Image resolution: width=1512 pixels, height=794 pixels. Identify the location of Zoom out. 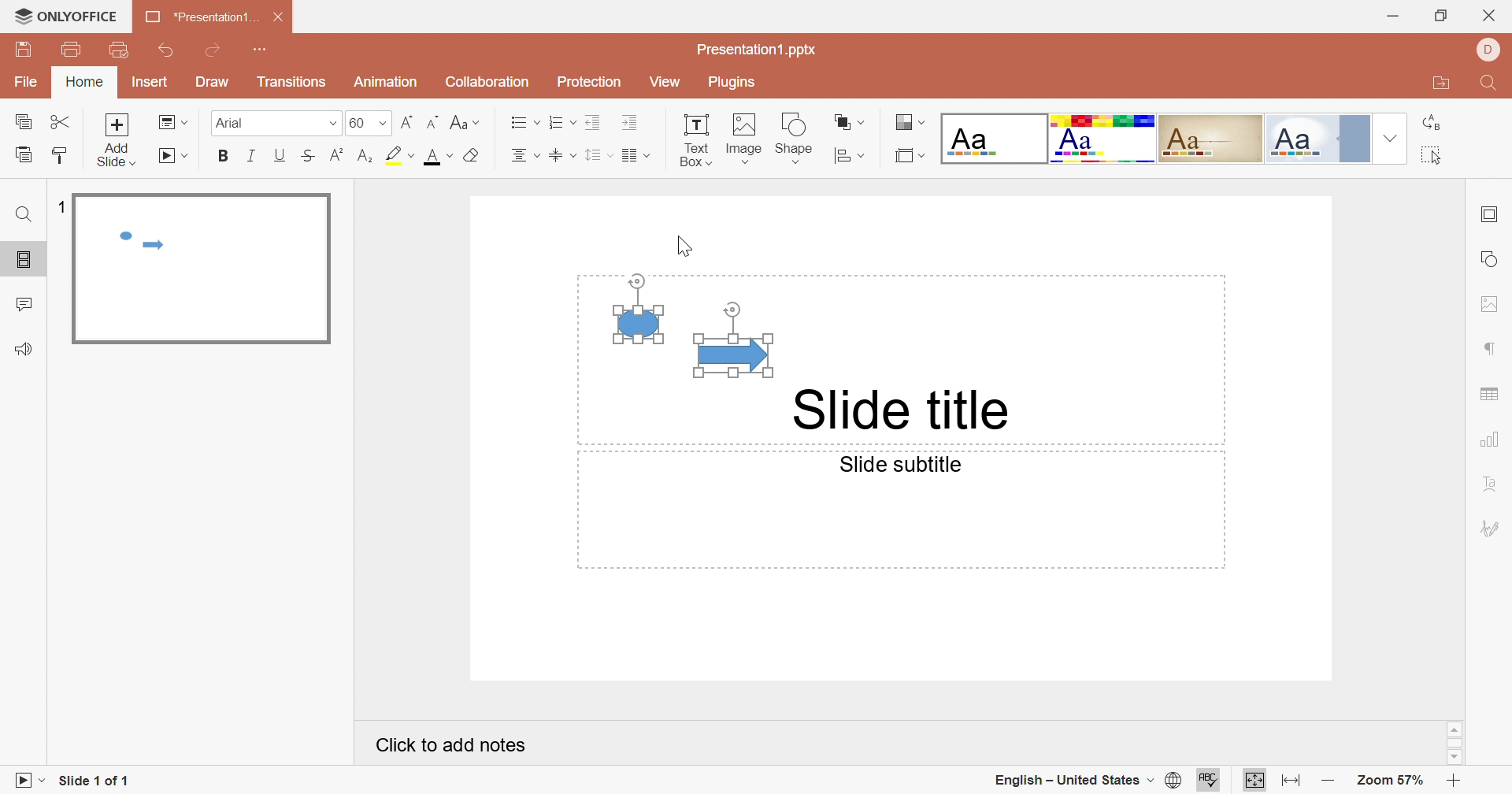
(1330, 781).